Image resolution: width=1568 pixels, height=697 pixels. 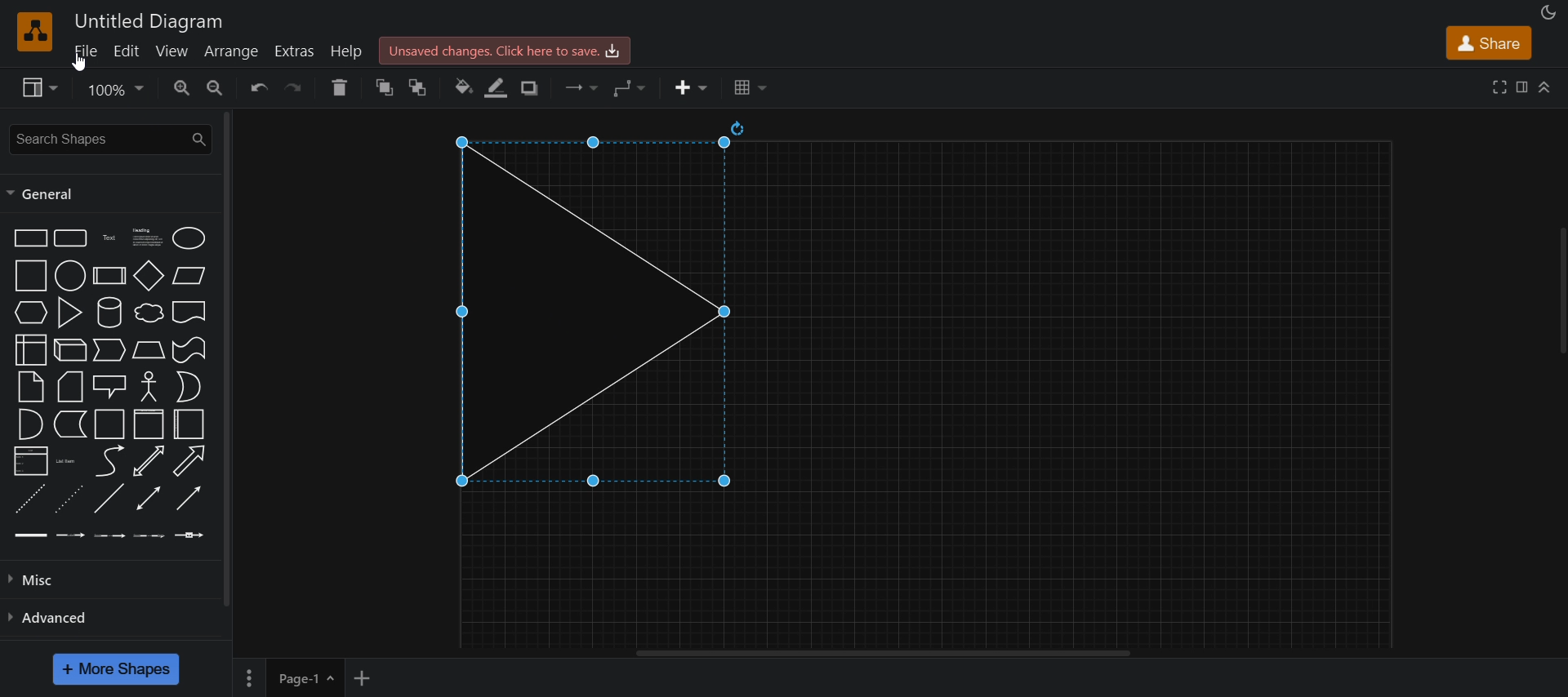 I want to click on connector with symbol, so click(x=189, y=536).